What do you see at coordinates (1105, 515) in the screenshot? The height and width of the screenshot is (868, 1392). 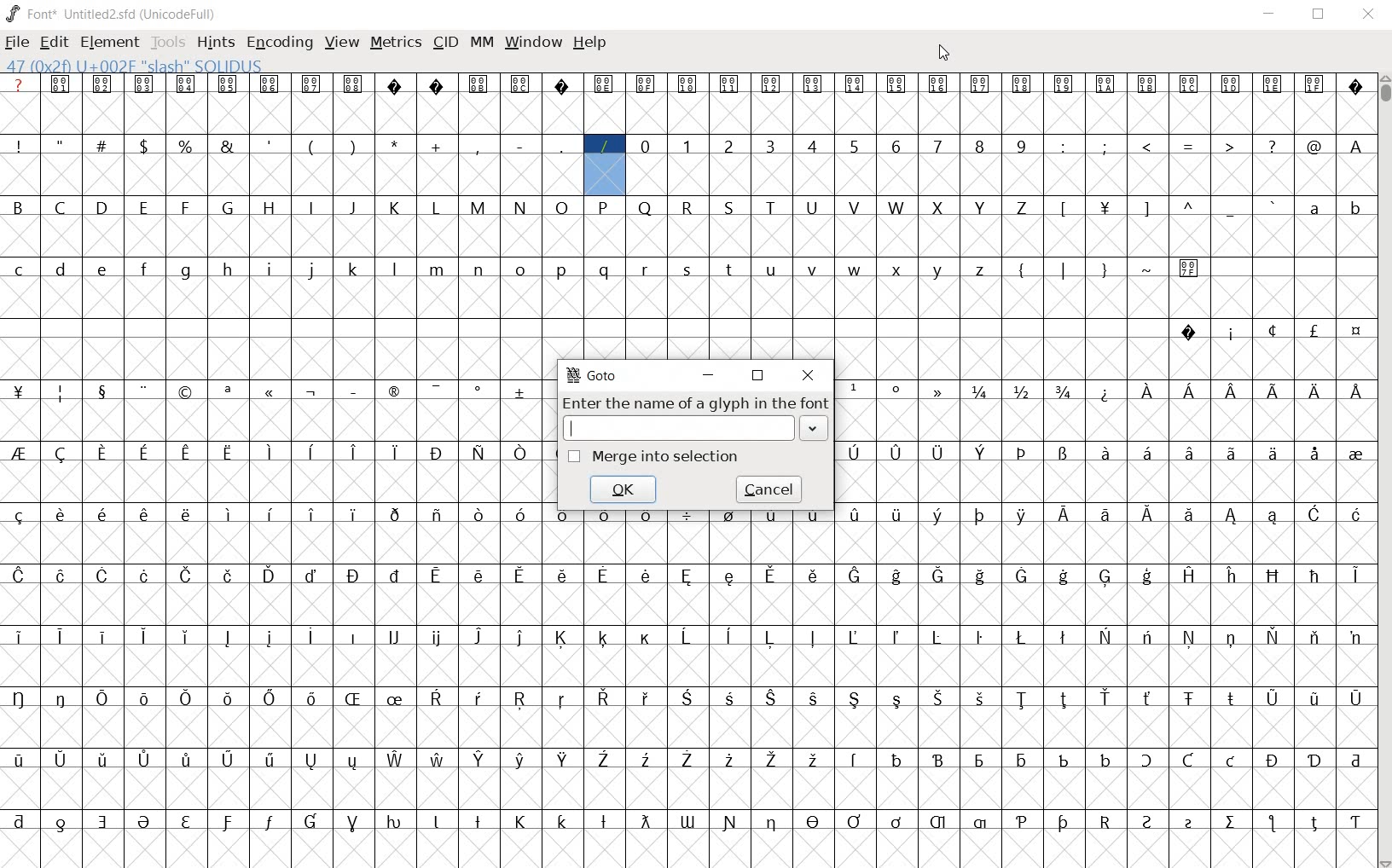 I see `glyph` at bounding box center [1105, 515].